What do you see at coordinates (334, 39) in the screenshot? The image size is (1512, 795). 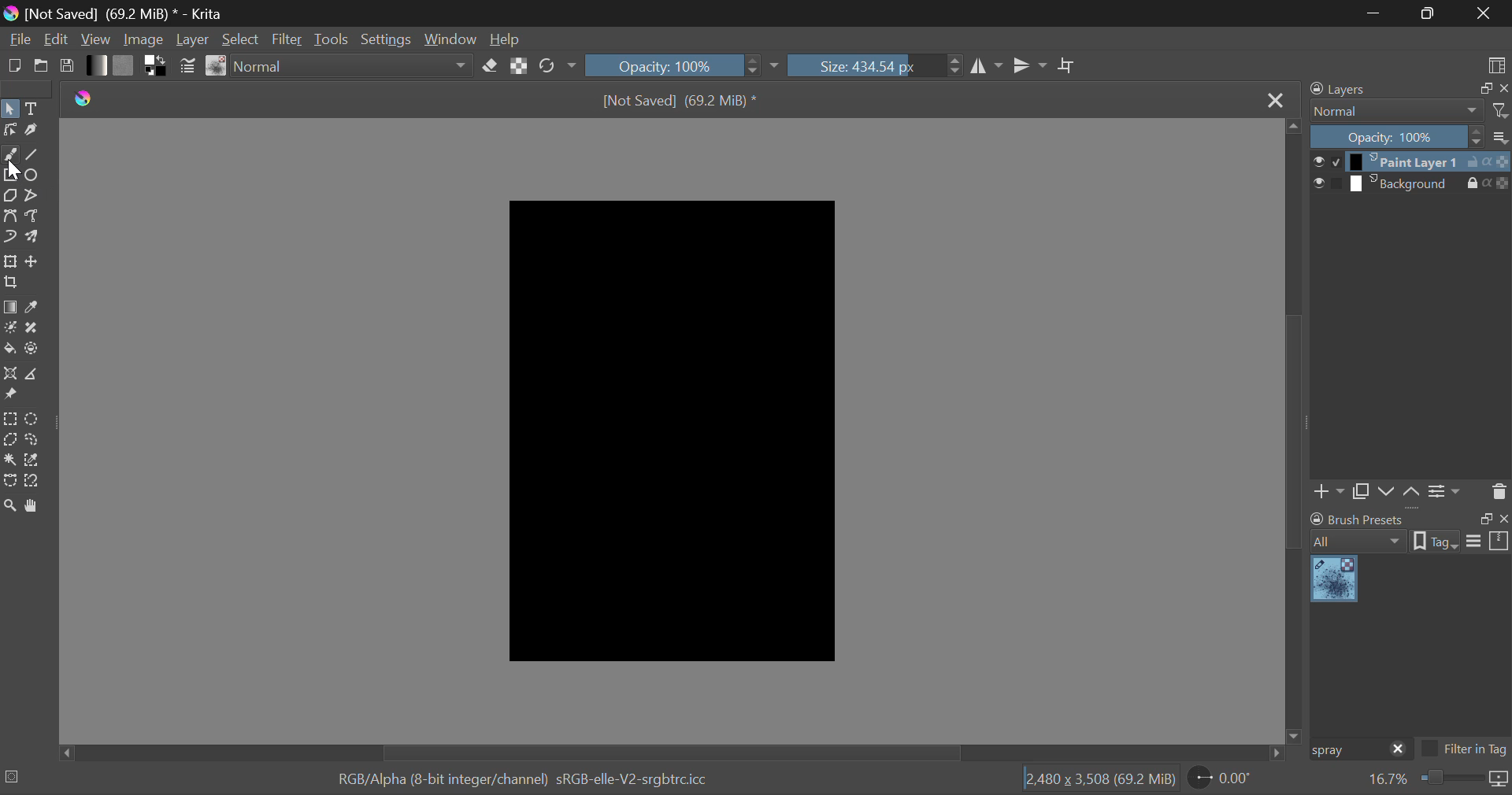 I see `Tools` at bounding box center [334, 39].